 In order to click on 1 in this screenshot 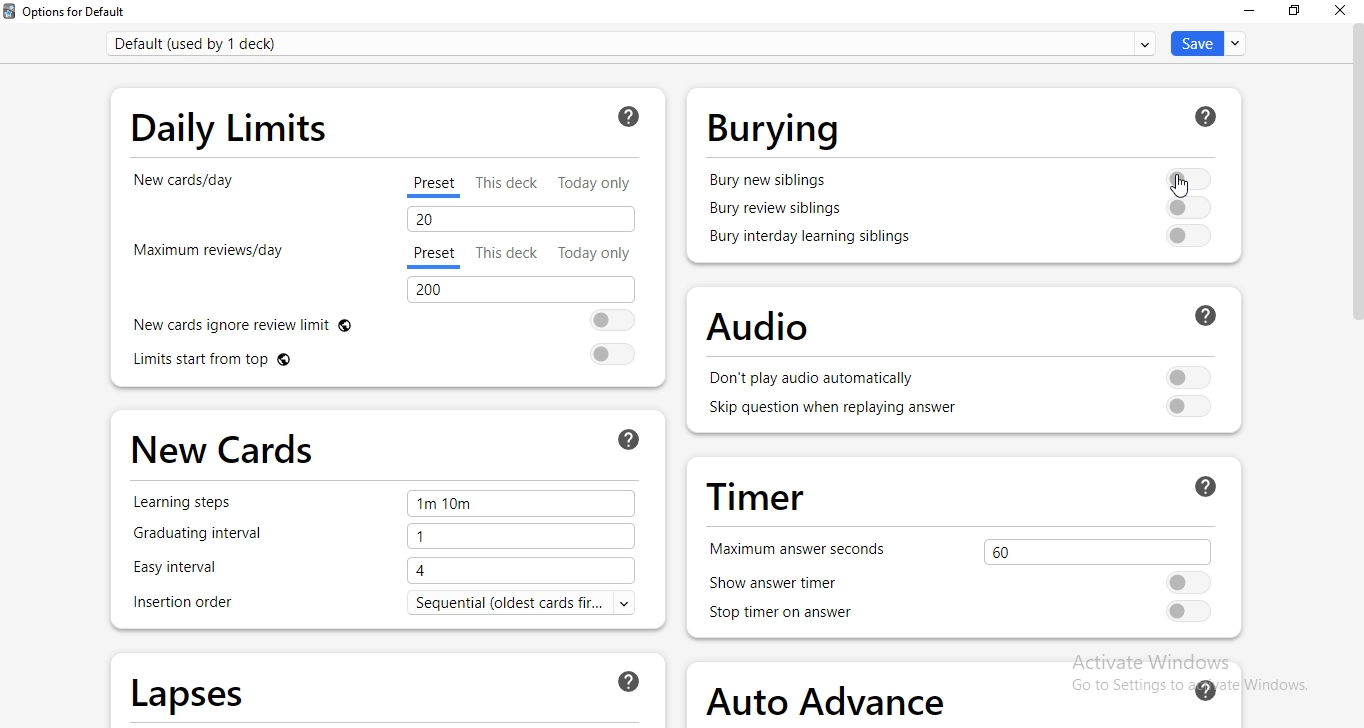, I will do `click(519, 537)`.